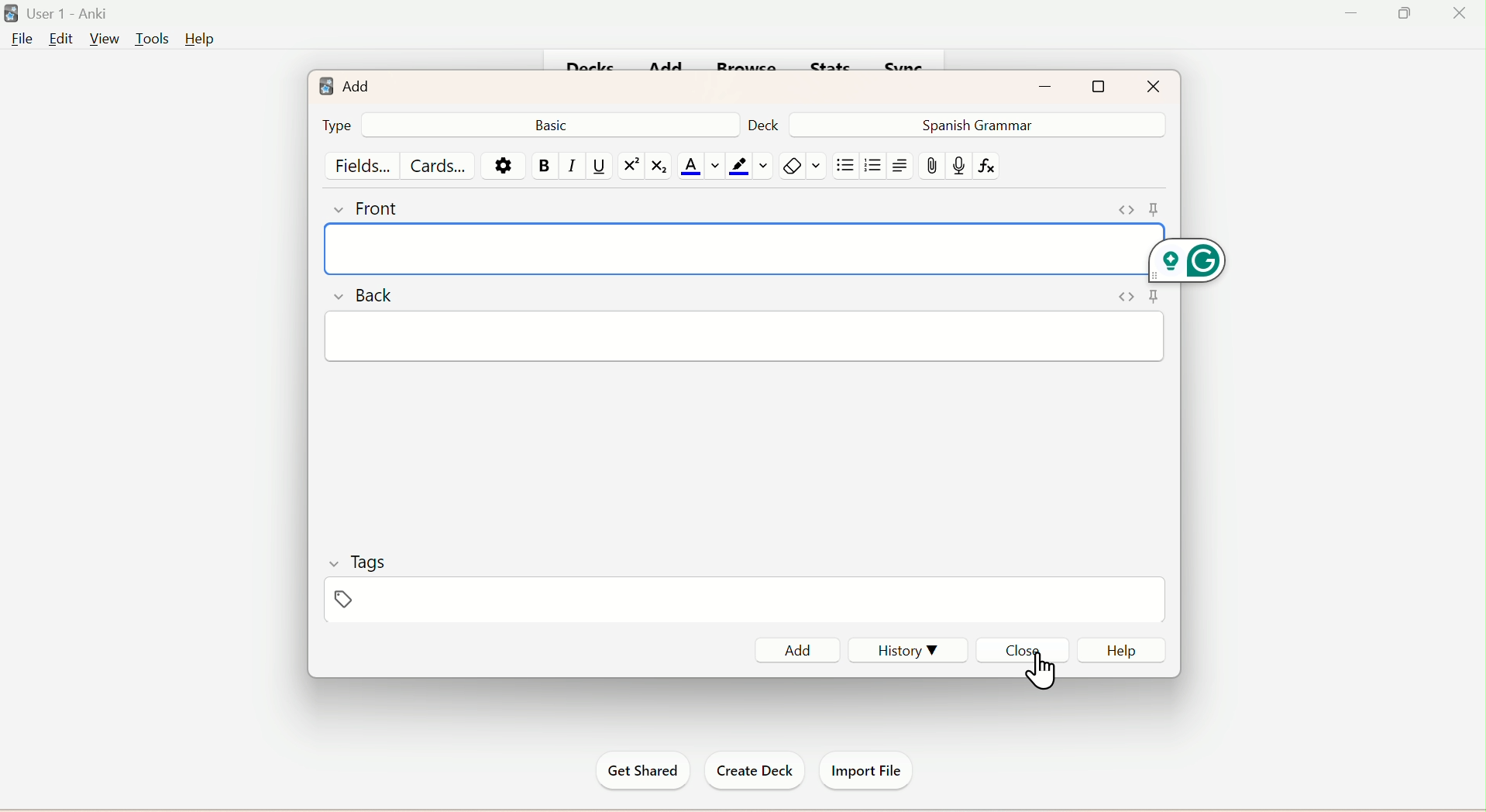 The height and width of the screenshot is (812, 1486). Describe the element at coordinates (545, 166) in the screenshot. I see `Bold` at that location.